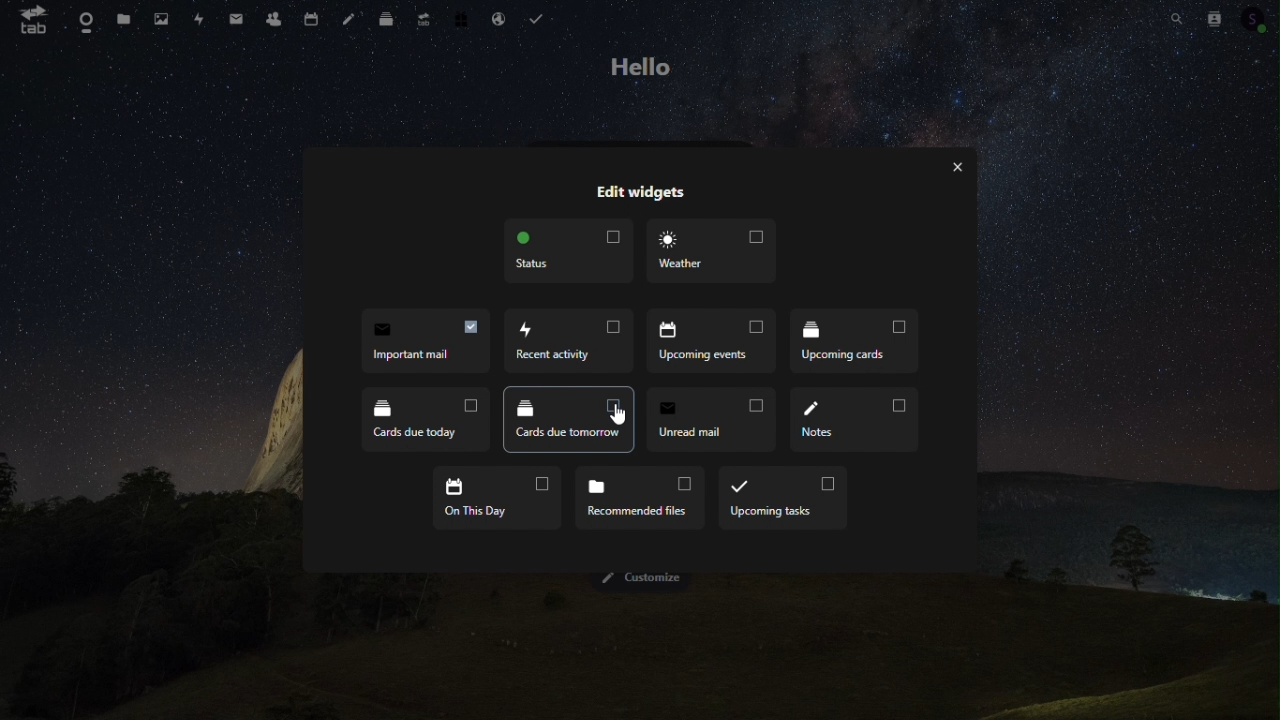 This screenshot has width=1280, height=720. What do you see at coordinates (419, 18) in the screenshot?
I see `Upgrade` at bounding box center [419, 18].